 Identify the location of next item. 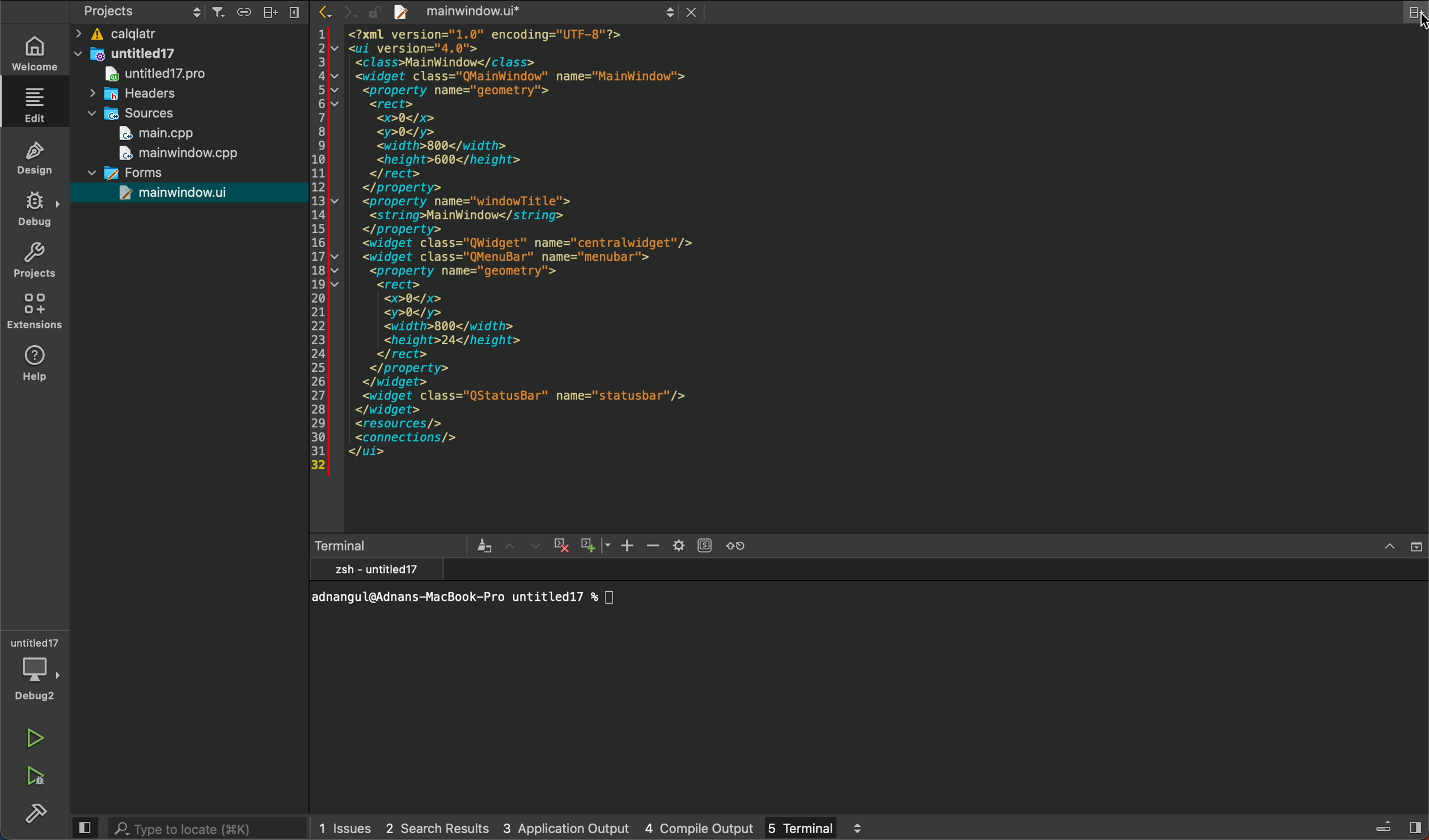
(536, 546).